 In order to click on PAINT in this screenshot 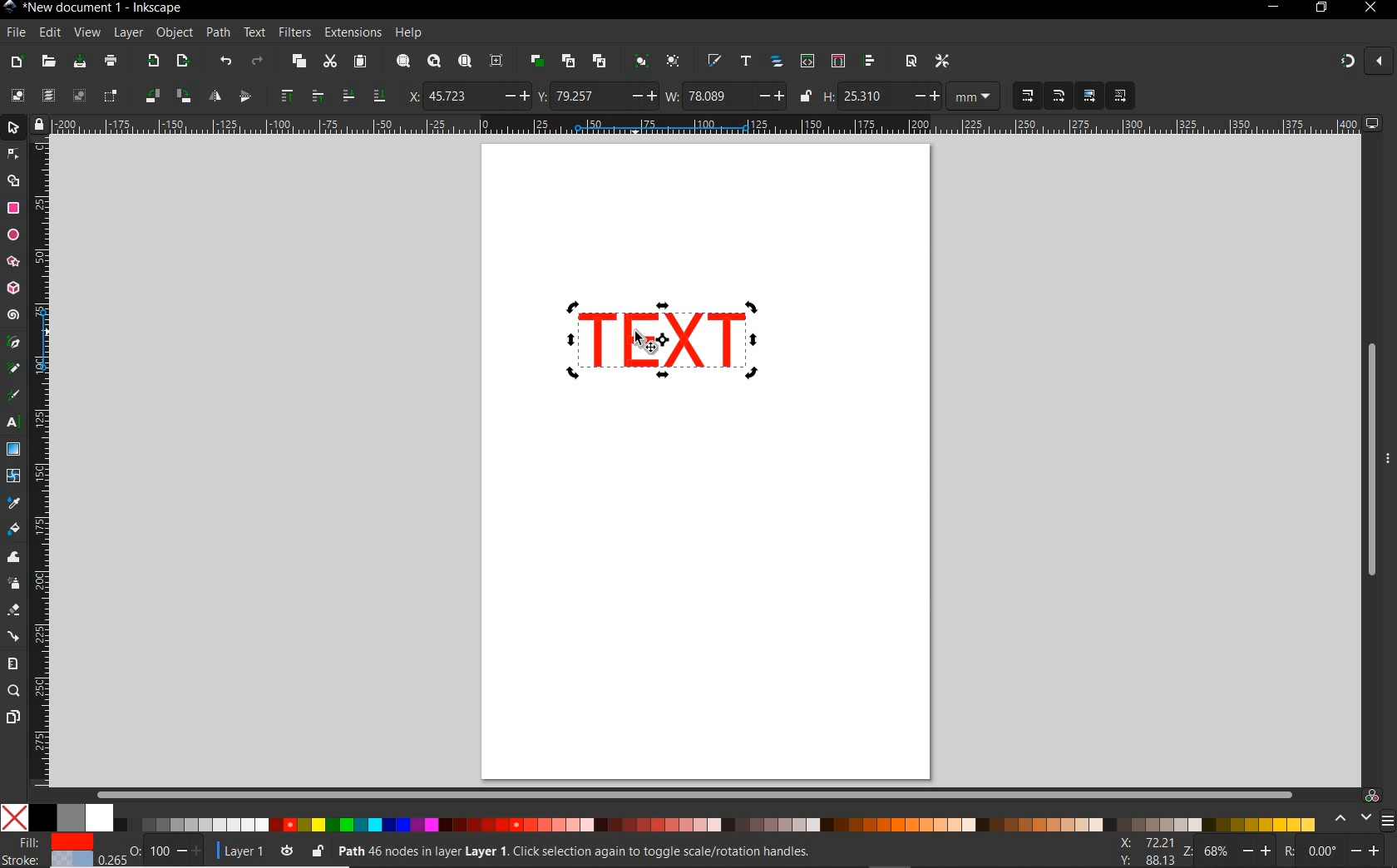, I will do `click(111, 63)`.